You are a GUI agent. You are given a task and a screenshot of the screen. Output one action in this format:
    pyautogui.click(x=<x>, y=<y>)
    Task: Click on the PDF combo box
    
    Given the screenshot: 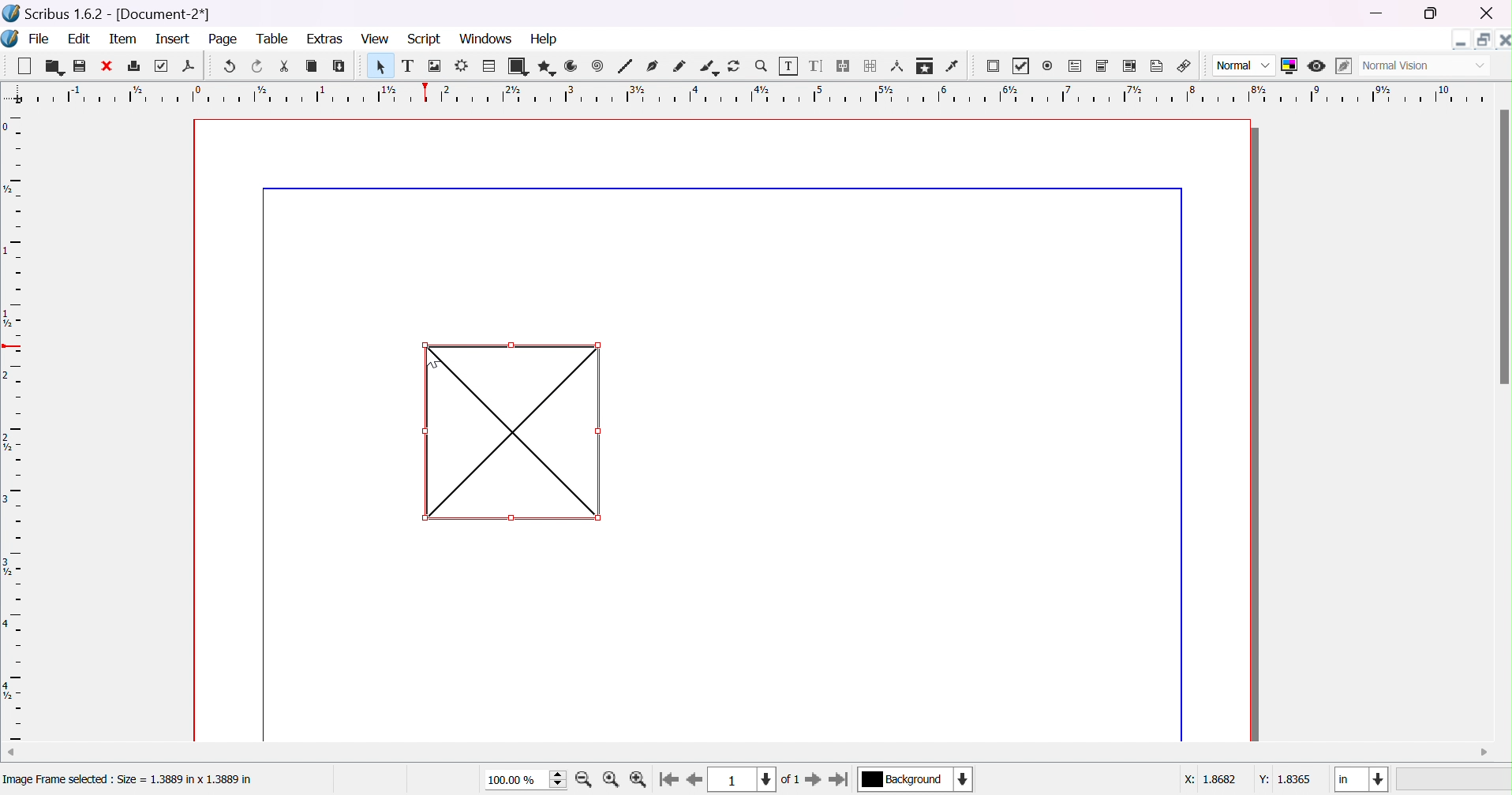 What is the action you would take?
    pyautogui.click(x=1103, y=66)
    